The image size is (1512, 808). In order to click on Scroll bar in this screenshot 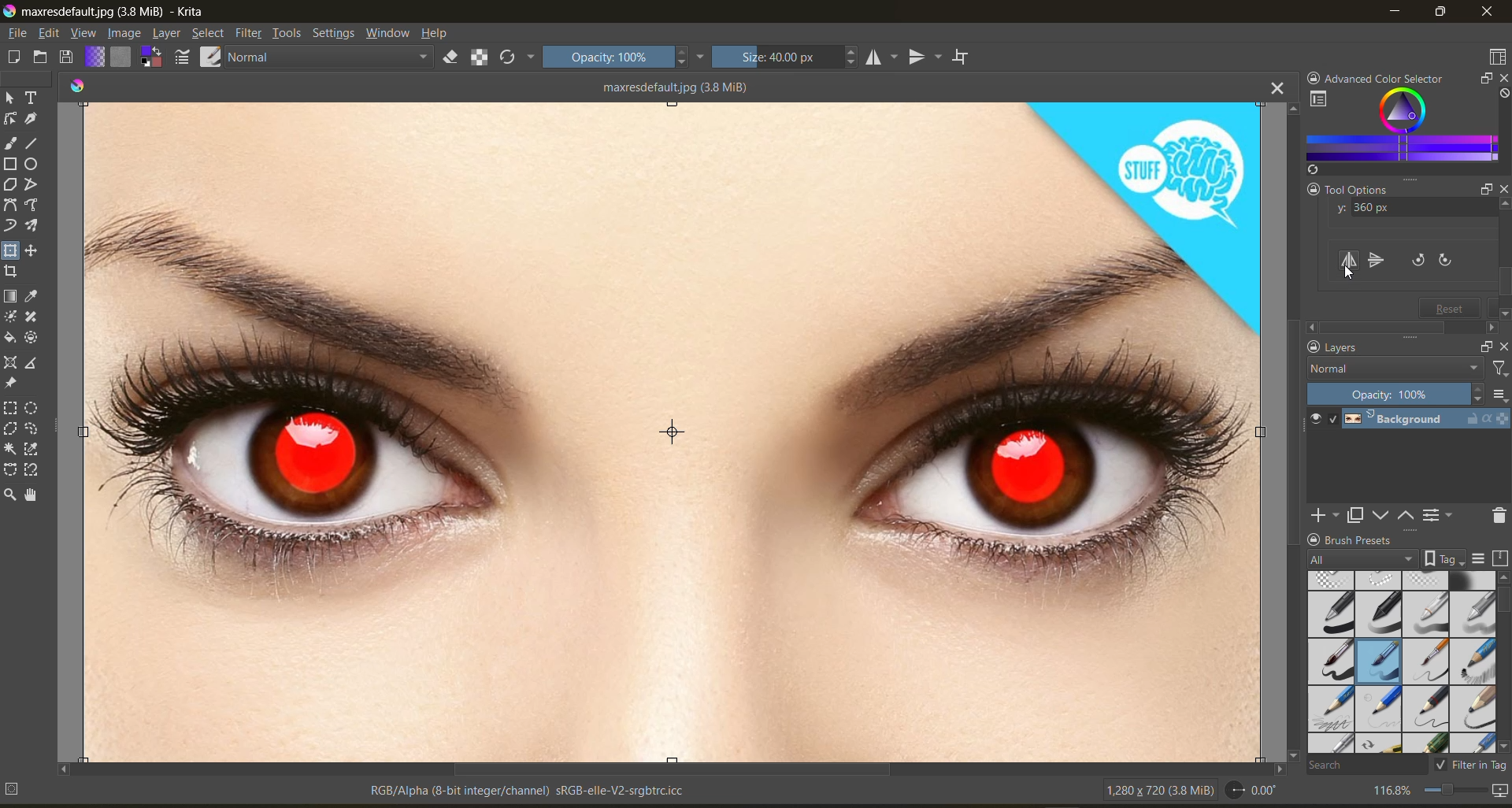, I will do `click(1401, 325)`.